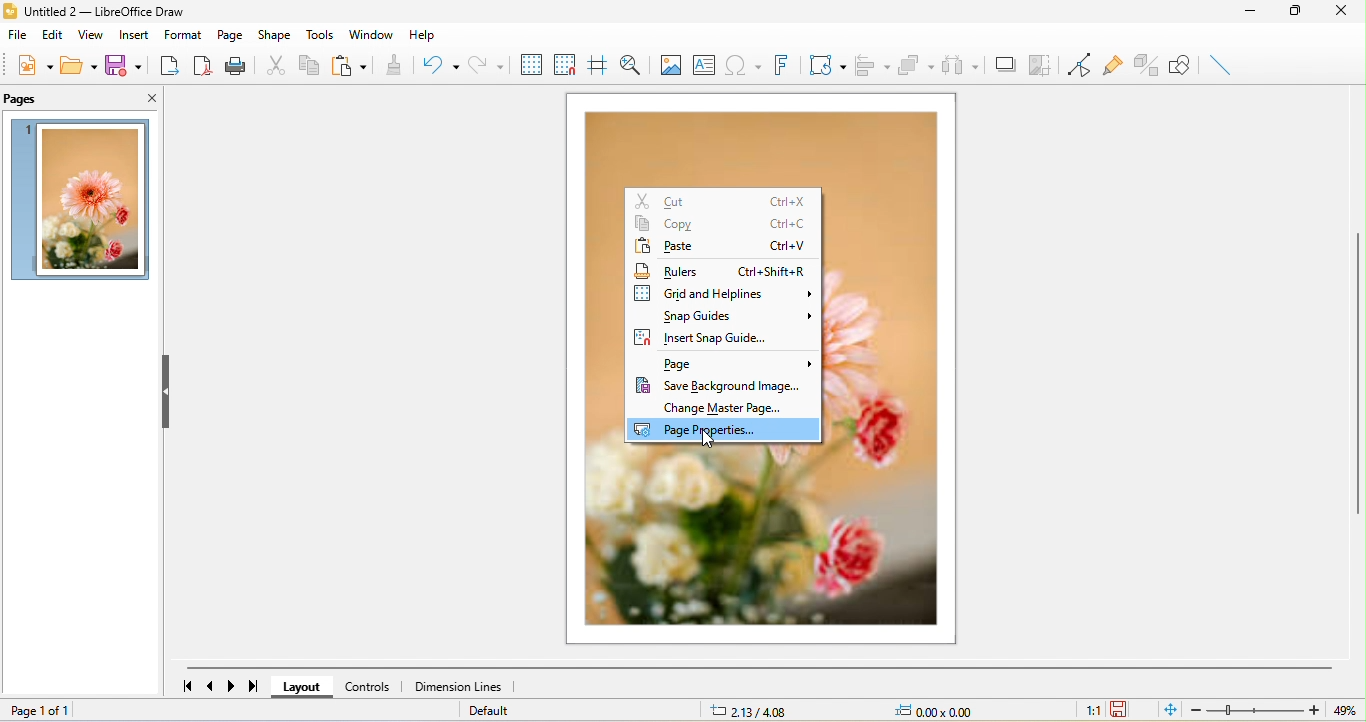 The width and height of the screenshot is (1366, 722). I want to click on maximize, so click(1305, 13).